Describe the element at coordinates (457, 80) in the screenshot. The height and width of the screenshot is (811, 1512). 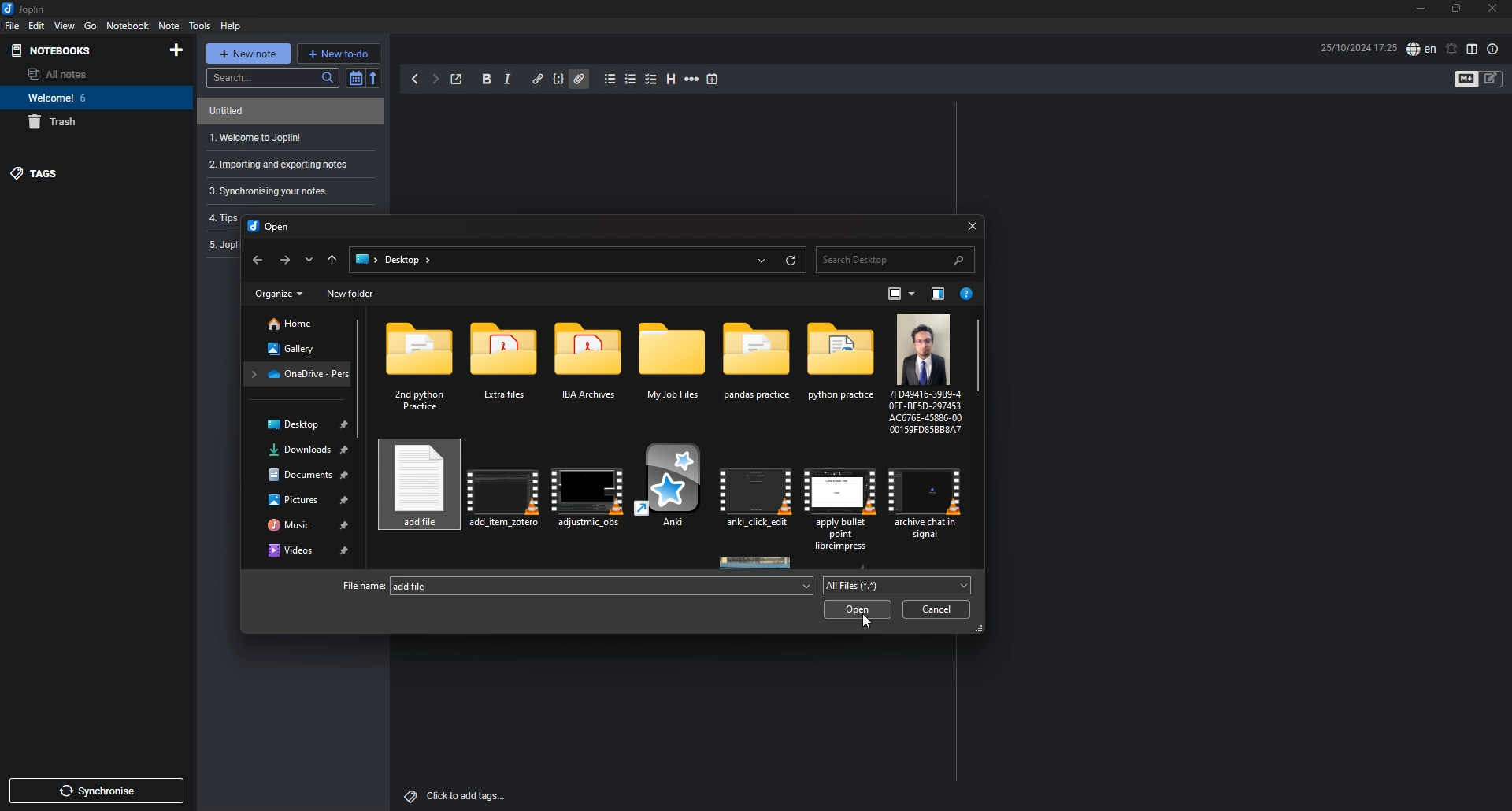
I see `toggle external editing` at that location.